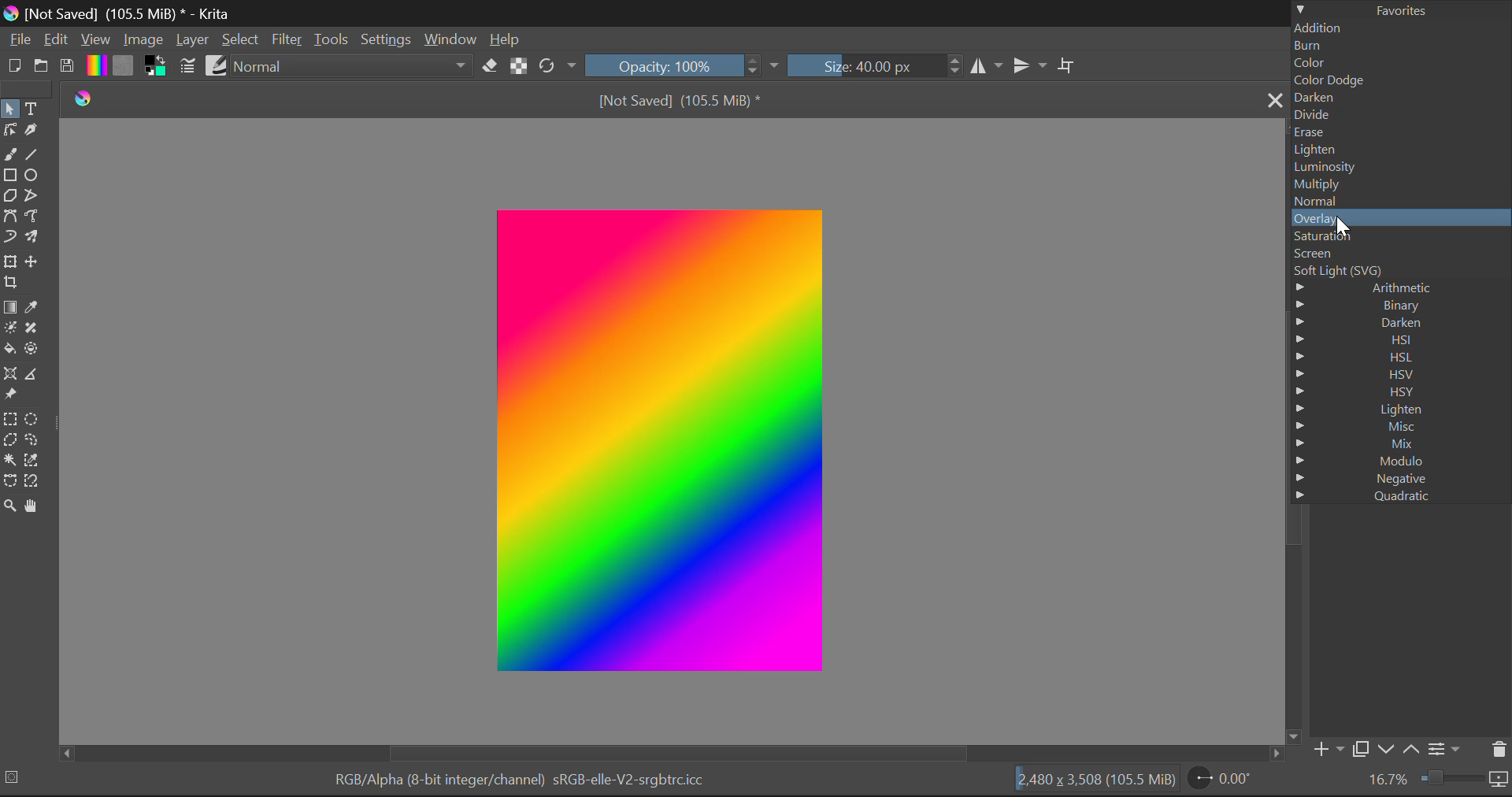 The height and width of the screenshot is (797, 1512). What do you see at coordinates (9, 236) in the screenshot?
I see `Dynamic Brush Tool` at bounding box center [9, 236].